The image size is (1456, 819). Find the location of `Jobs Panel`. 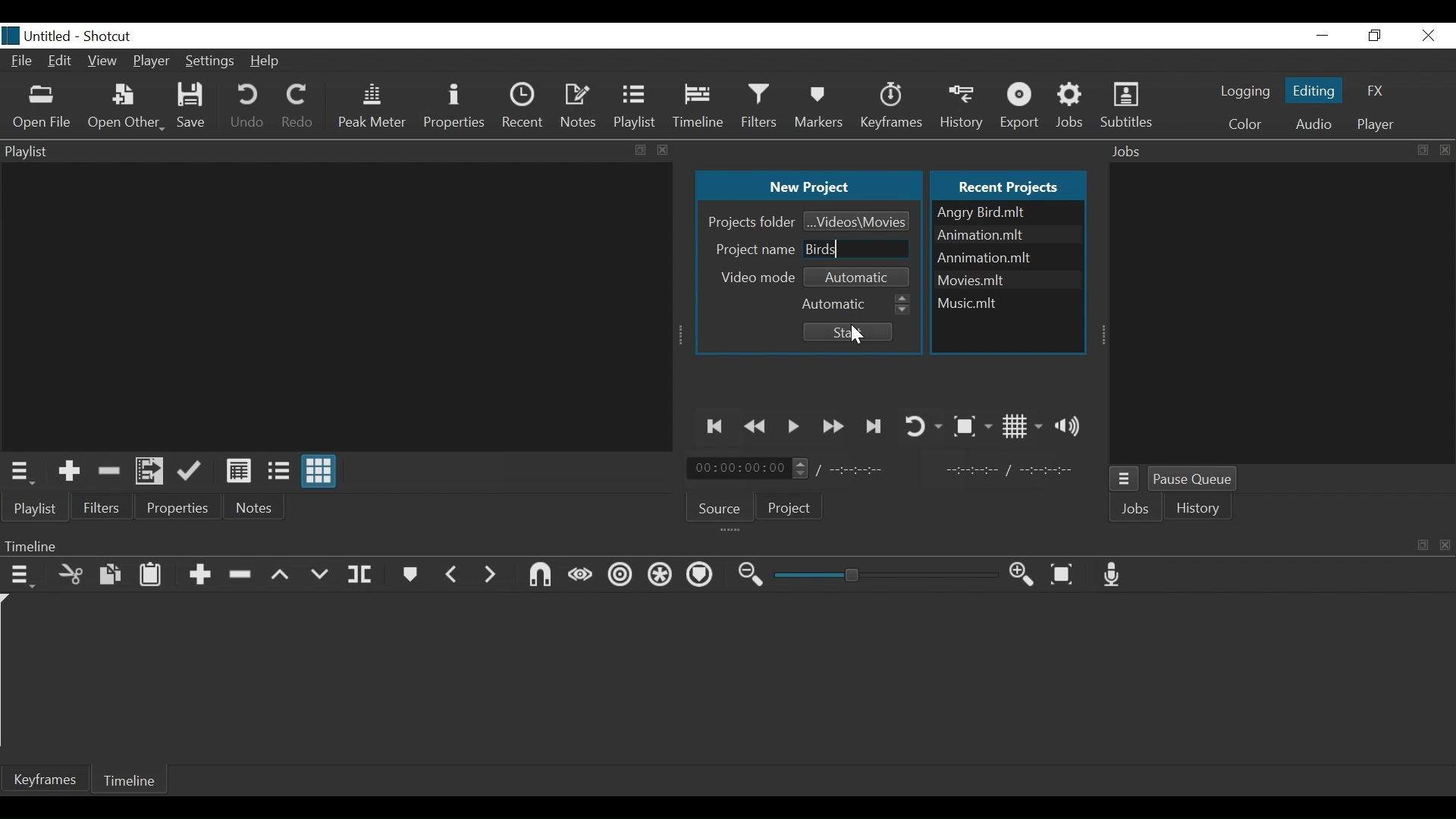

Jobs Panel is located at coordinates (1284, 314).